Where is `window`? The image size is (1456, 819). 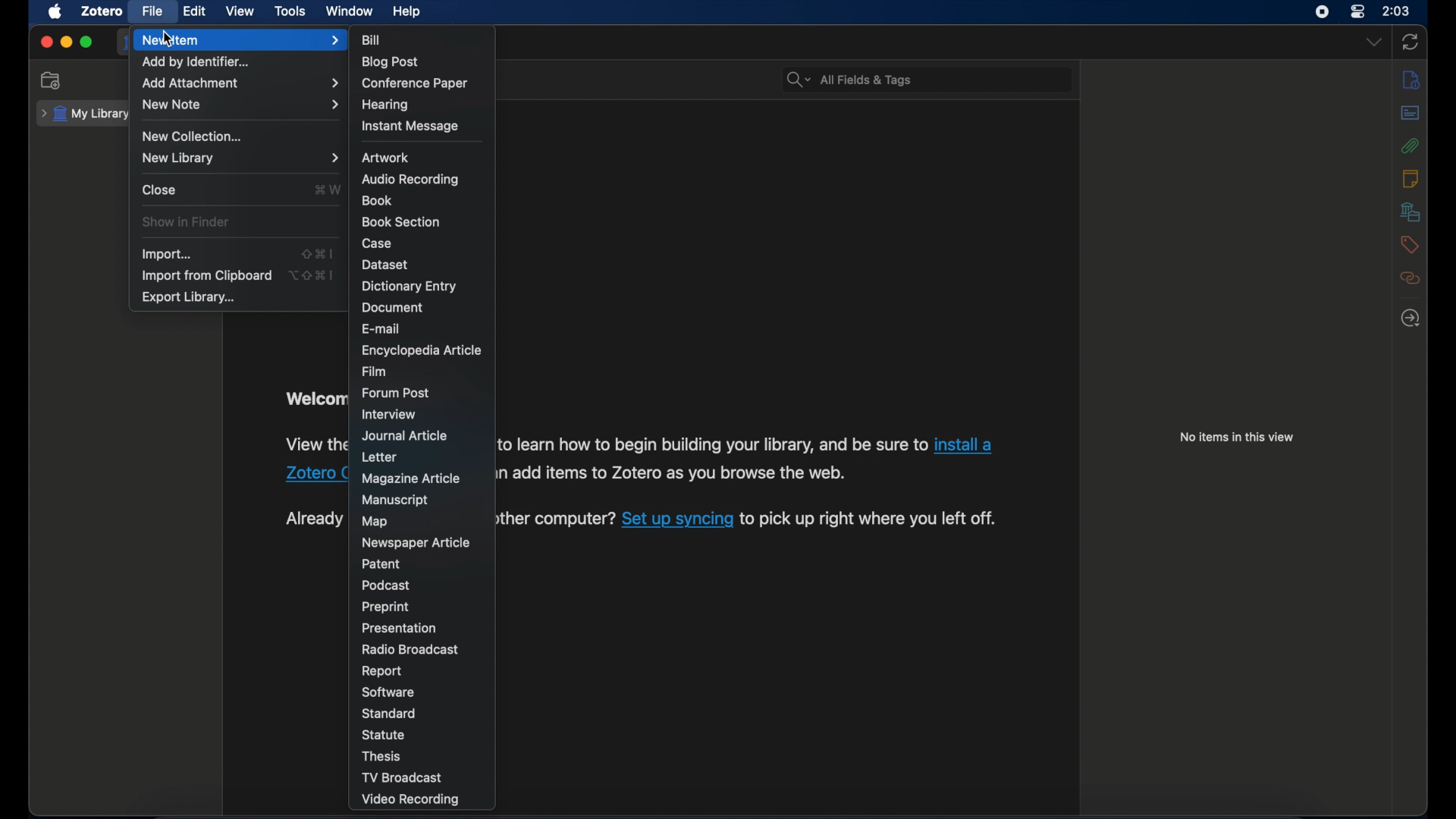
window is located at coordinates (350, 11).